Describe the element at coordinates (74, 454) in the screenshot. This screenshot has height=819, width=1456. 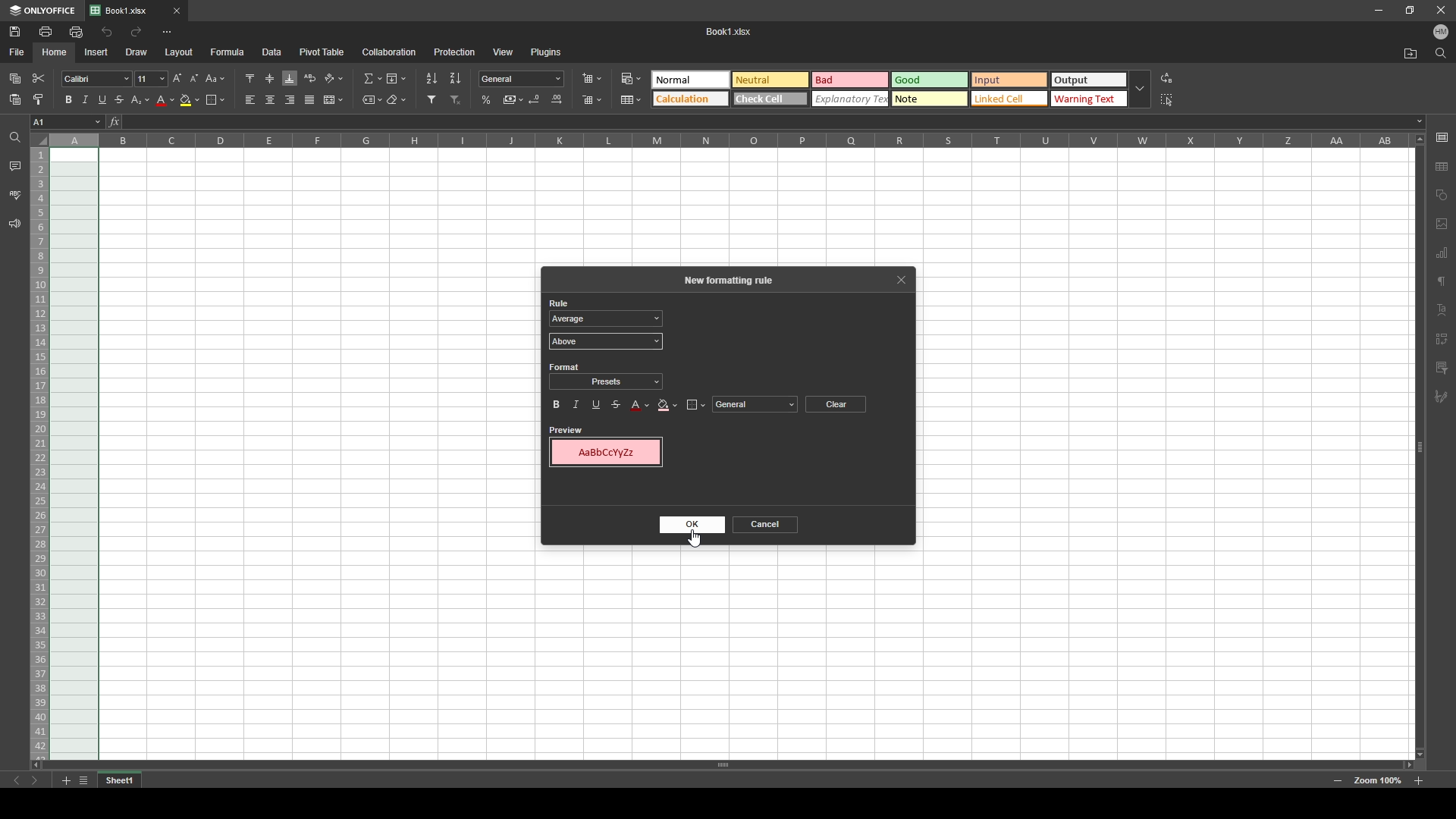
I see `selected cells` at that location.